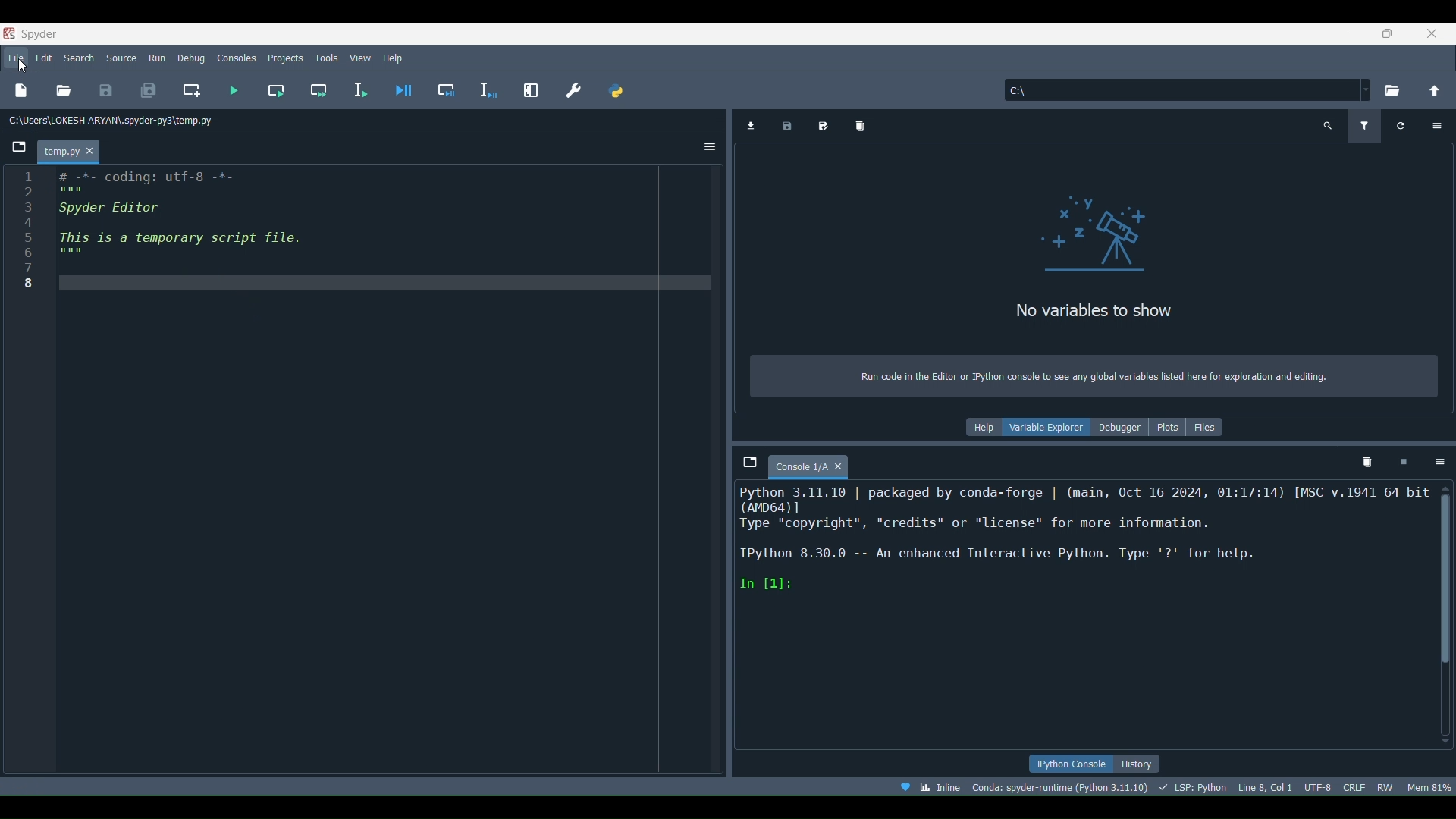  I want to click on Options, so click(1439, 463).